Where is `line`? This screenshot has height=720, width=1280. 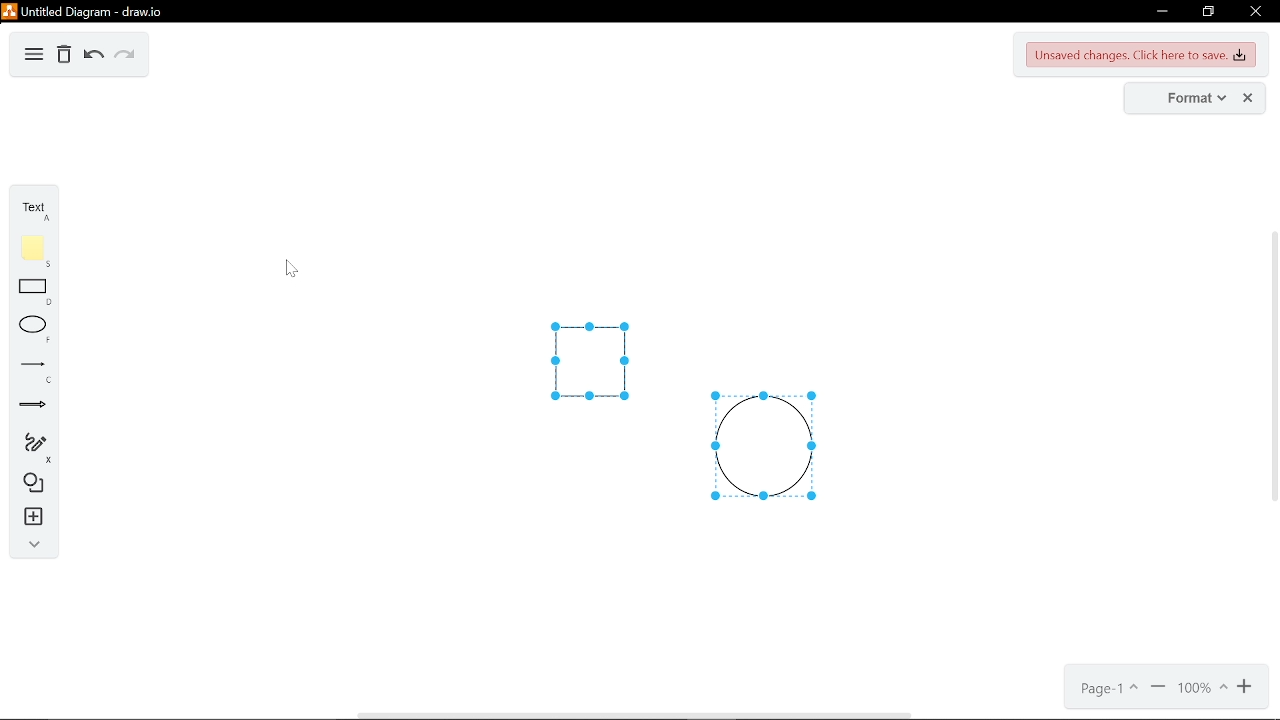
line is located at coordinates (30, 370).